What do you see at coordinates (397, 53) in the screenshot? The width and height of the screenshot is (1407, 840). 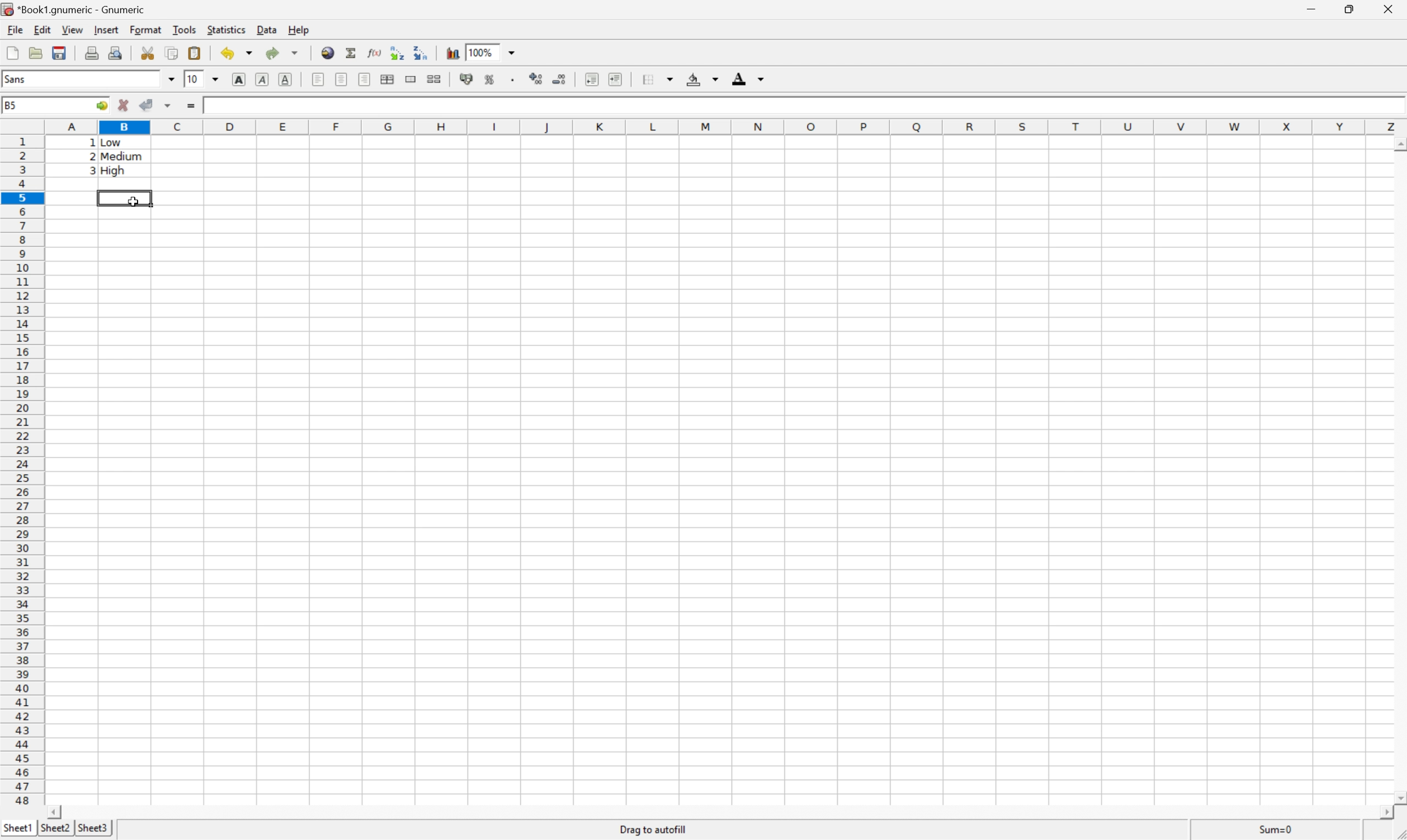 I see `Sort the selected region in ascending order based on the first column selected` at bounding box center [397, 53].